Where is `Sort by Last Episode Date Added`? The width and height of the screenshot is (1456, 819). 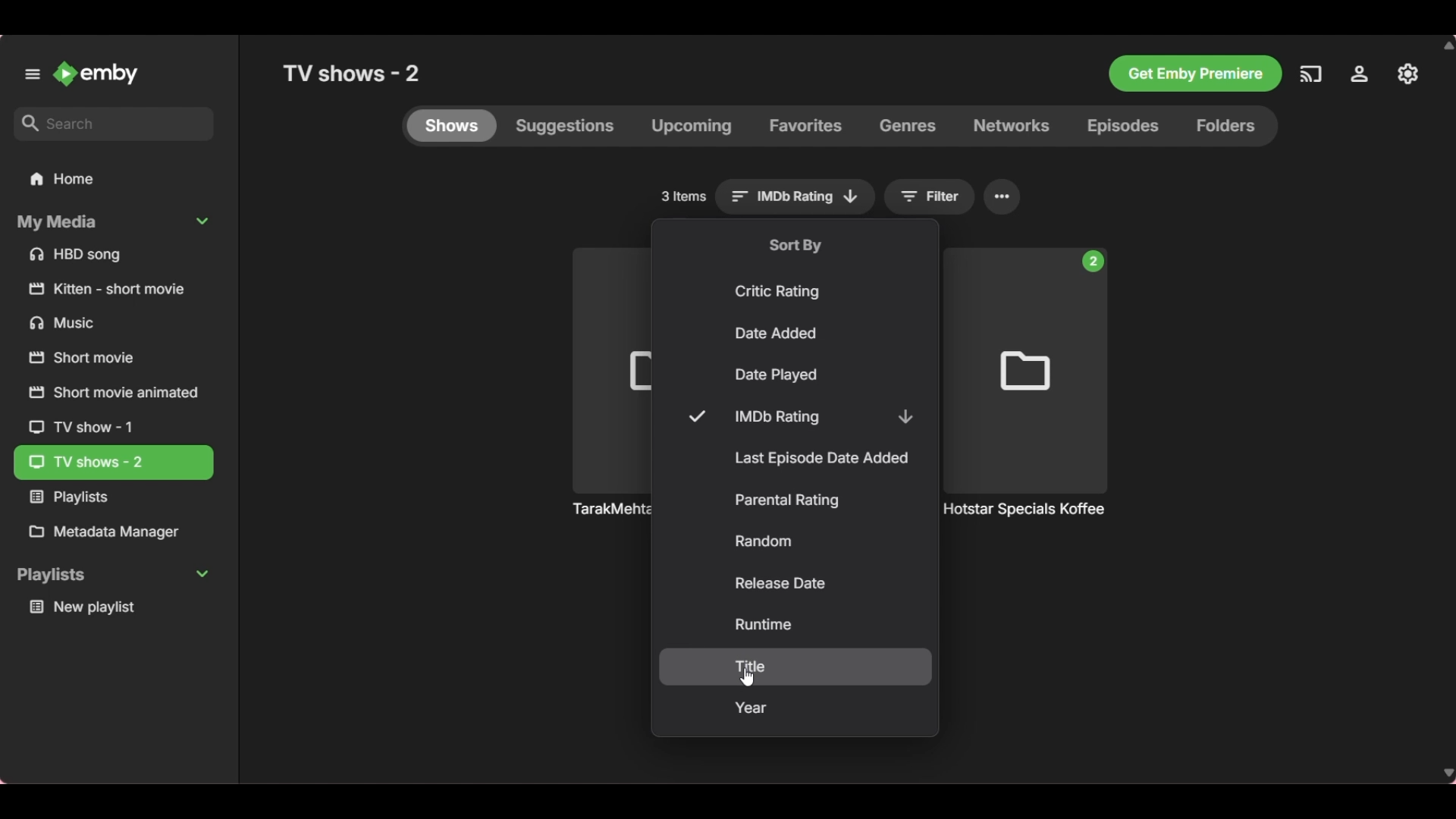 Sort by Last Episode Date Added is located at coordinates (797, 459).